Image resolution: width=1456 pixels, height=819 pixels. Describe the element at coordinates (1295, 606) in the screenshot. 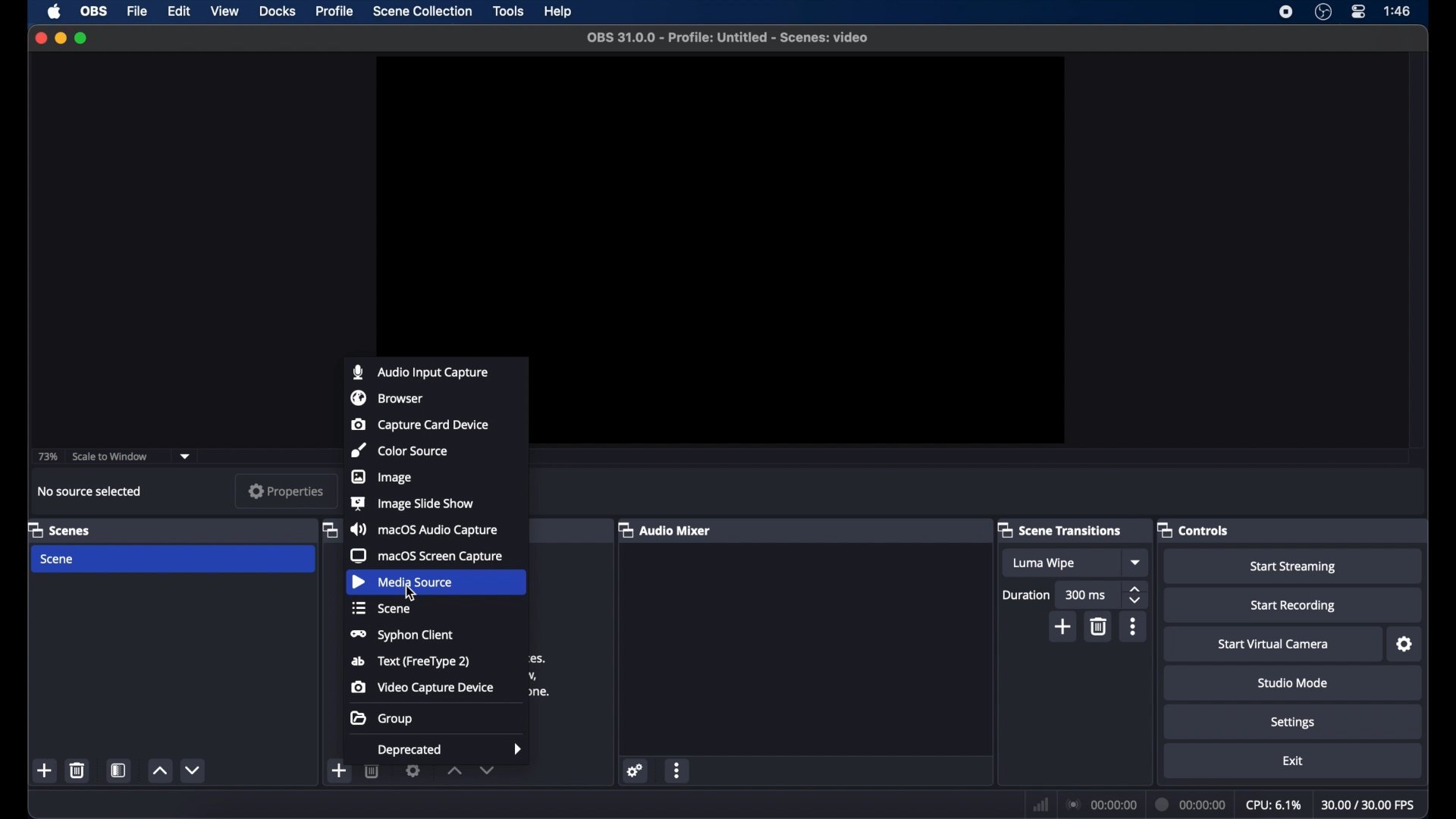

I see `start recording` at that location.